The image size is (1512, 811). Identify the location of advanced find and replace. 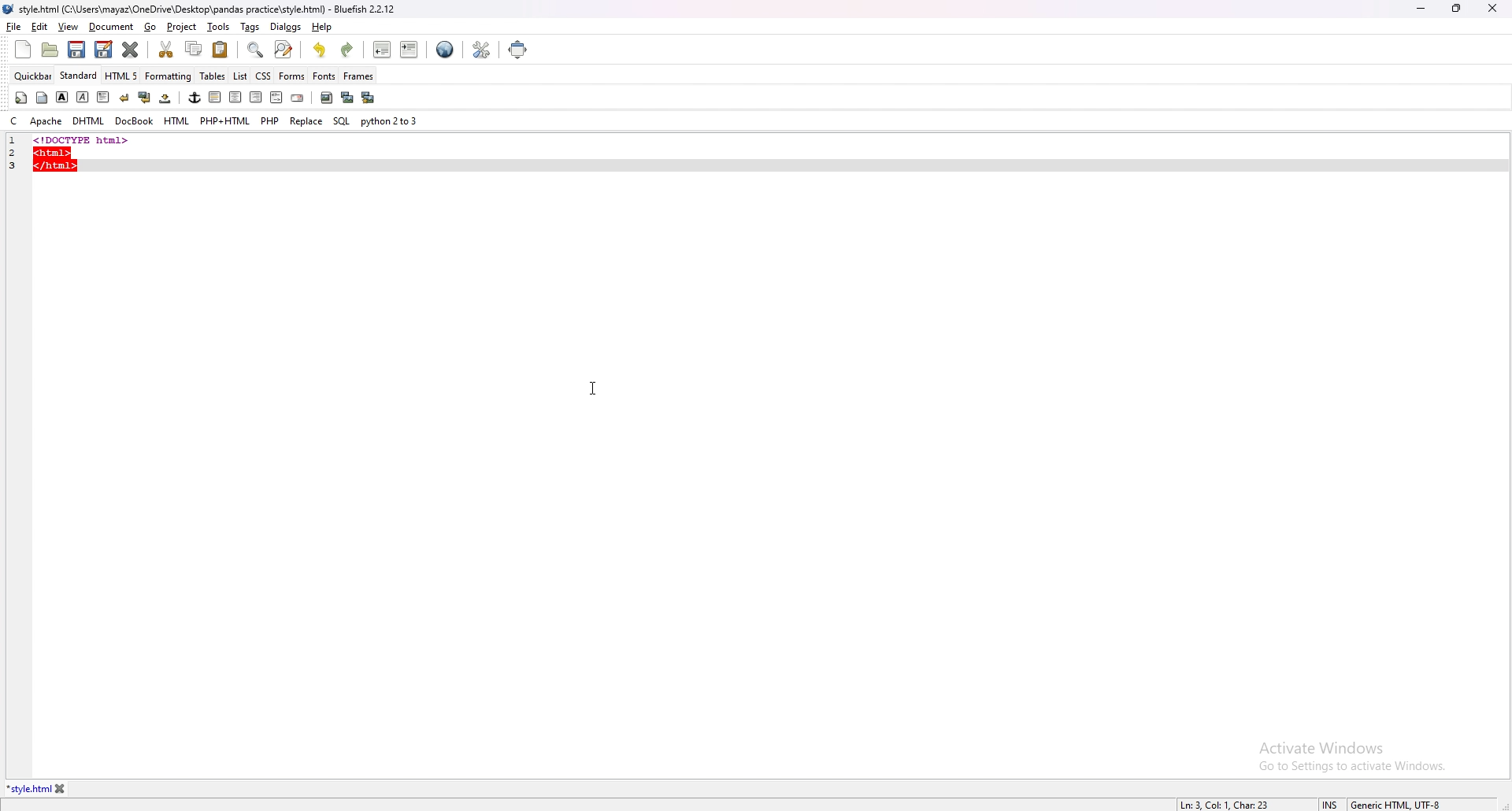
(283, 49).